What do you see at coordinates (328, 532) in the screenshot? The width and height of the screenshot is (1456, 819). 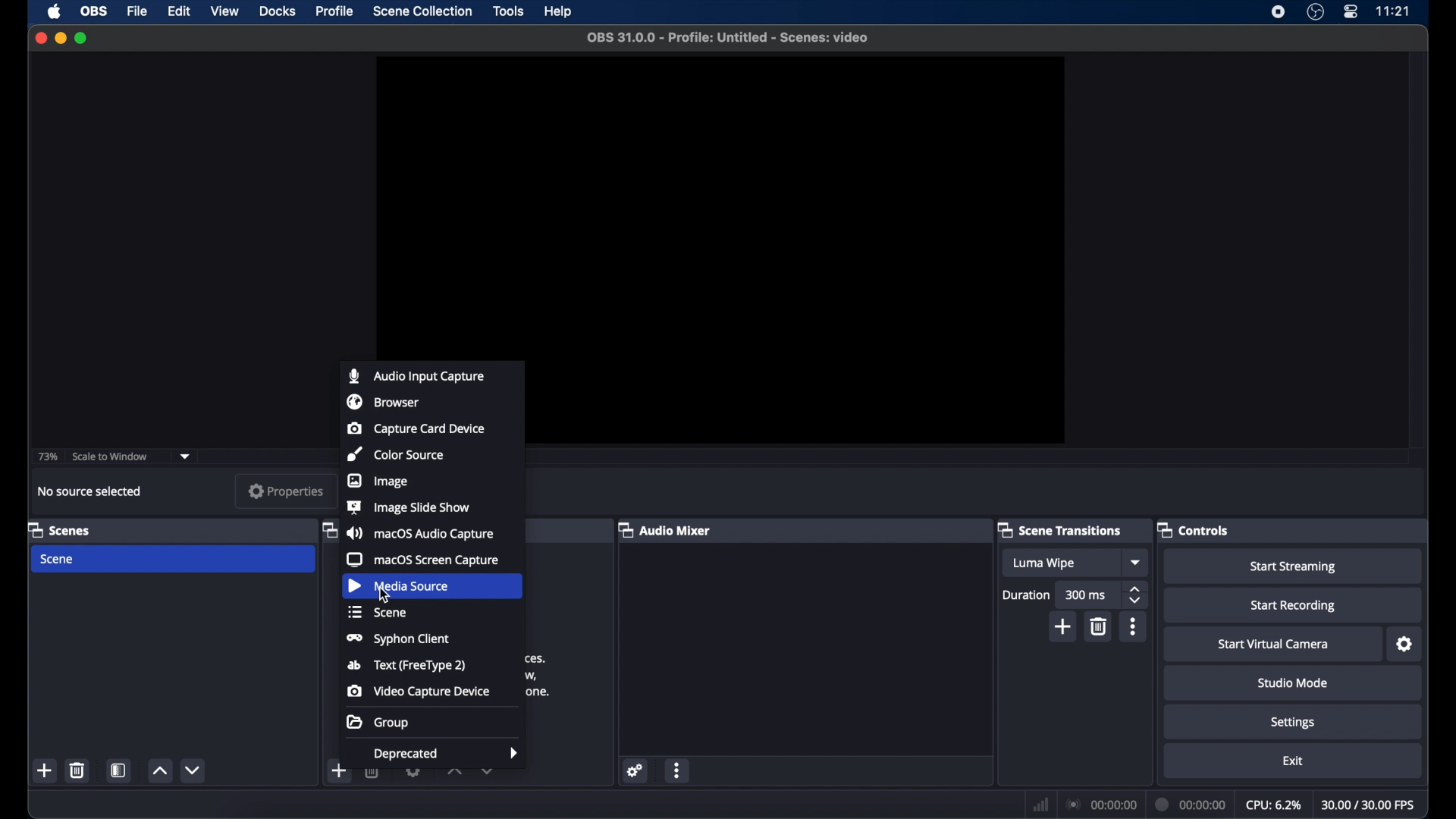 I see `obscure icon` at bounding box center [328, 532].